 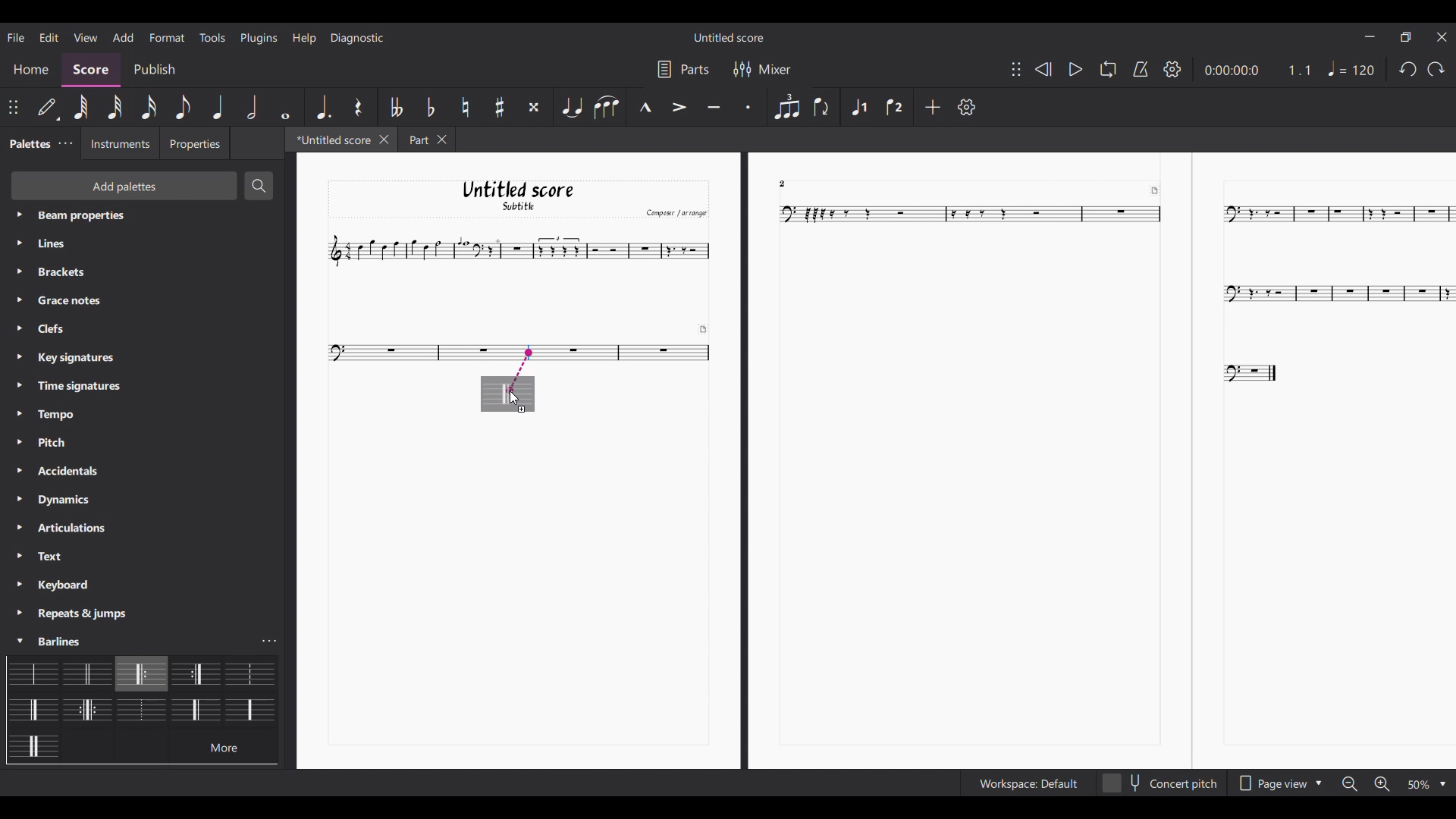 What do you see at coordinates (36, 672) in the screenshot?
I see `Barline options` at bounding box center [36, 672].